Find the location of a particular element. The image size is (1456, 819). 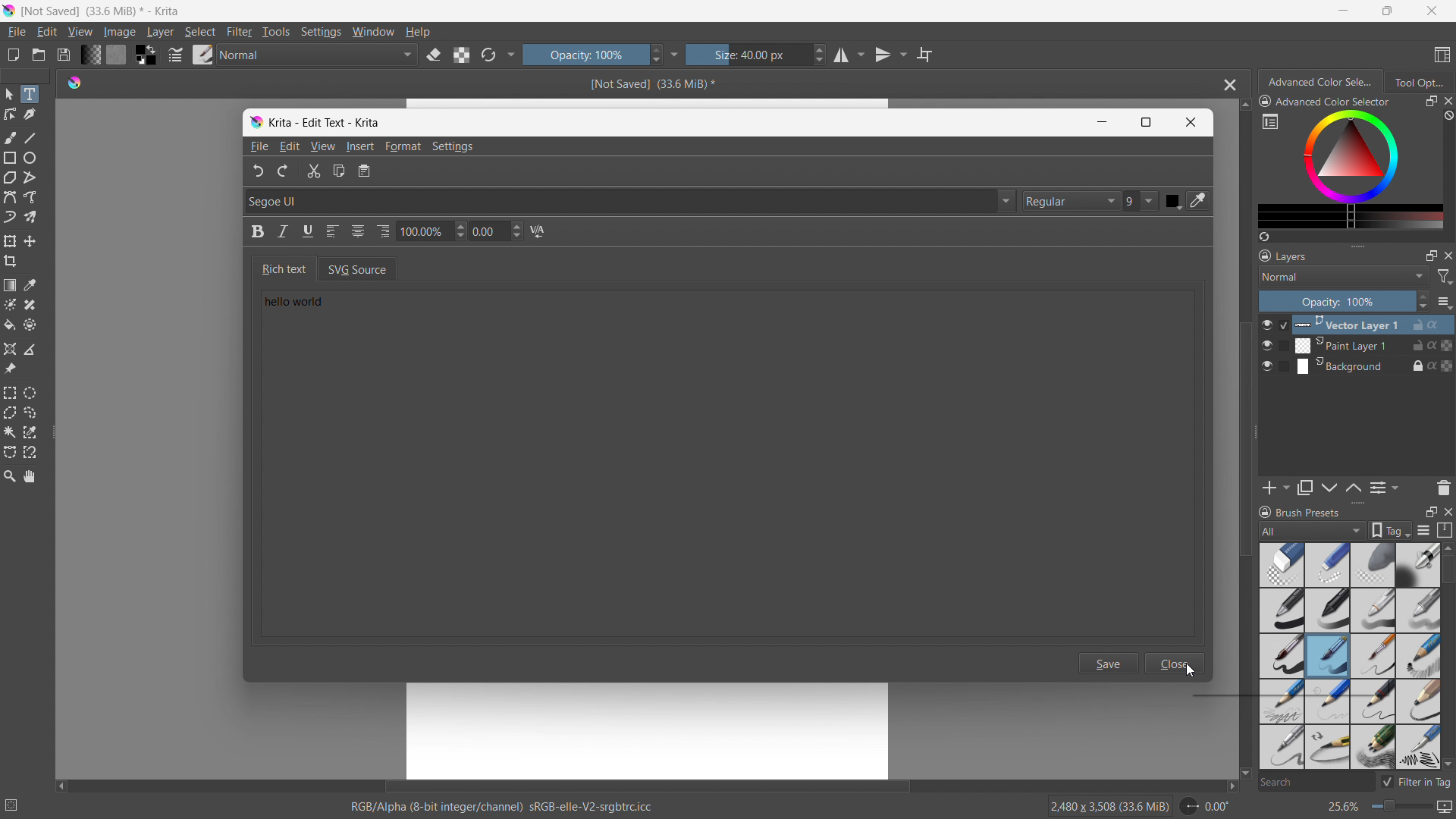

move layer down is located at coordinates (1353, 487).